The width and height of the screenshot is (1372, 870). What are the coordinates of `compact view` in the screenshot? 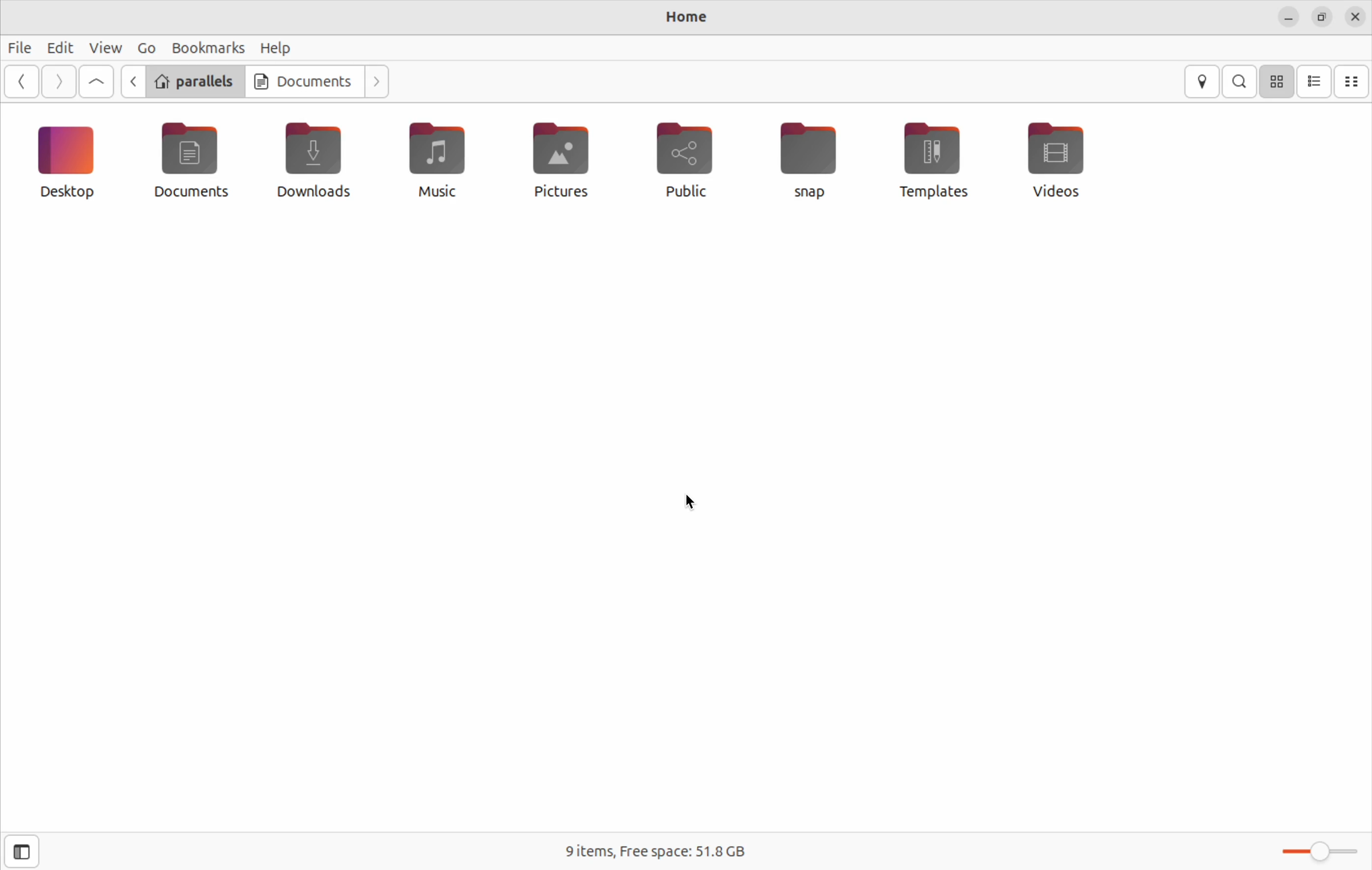 It's located at (1355, 82).